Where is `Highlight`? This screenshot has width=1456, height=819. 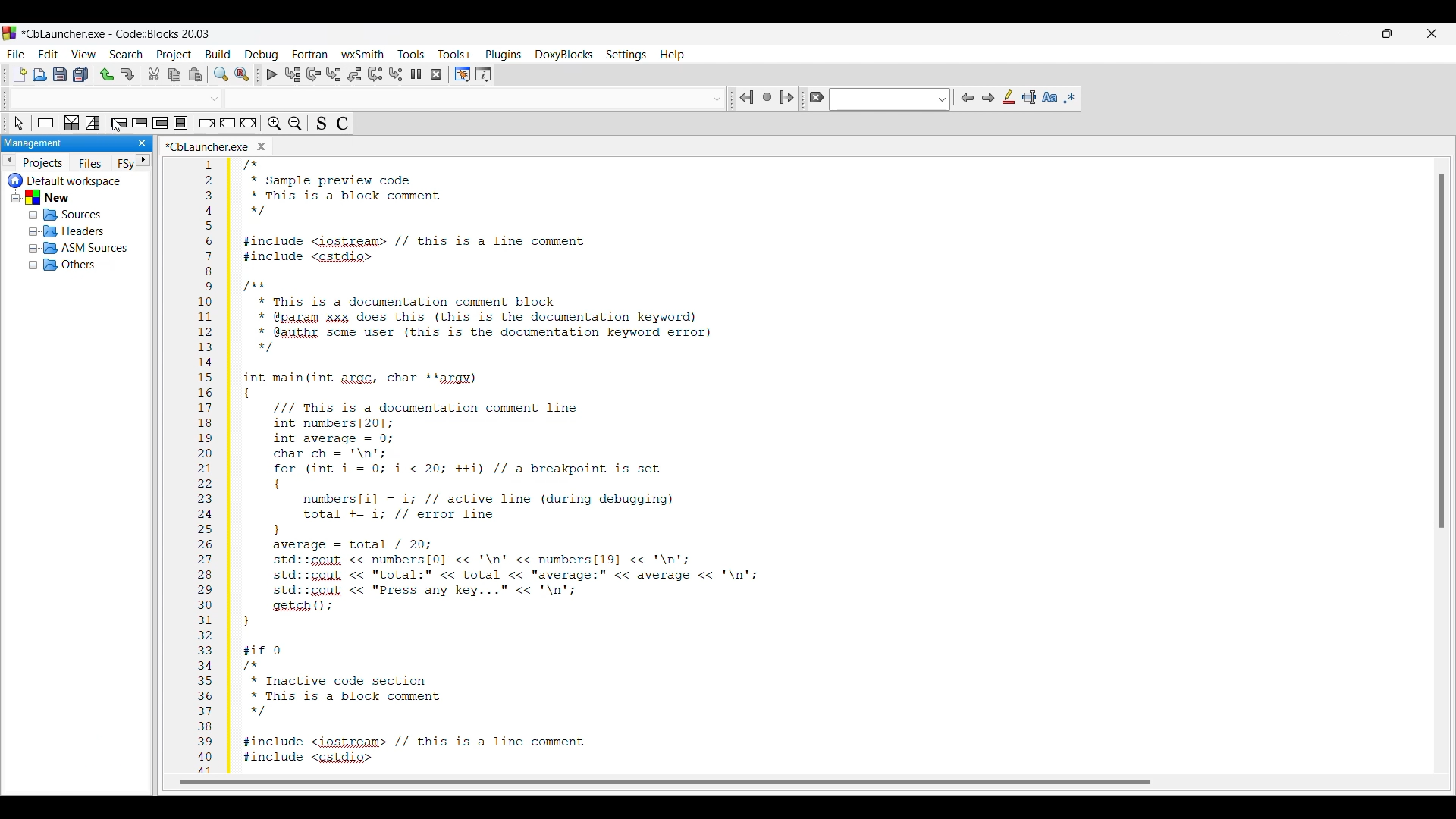
Highlight is located at coordinates (1008, 97).